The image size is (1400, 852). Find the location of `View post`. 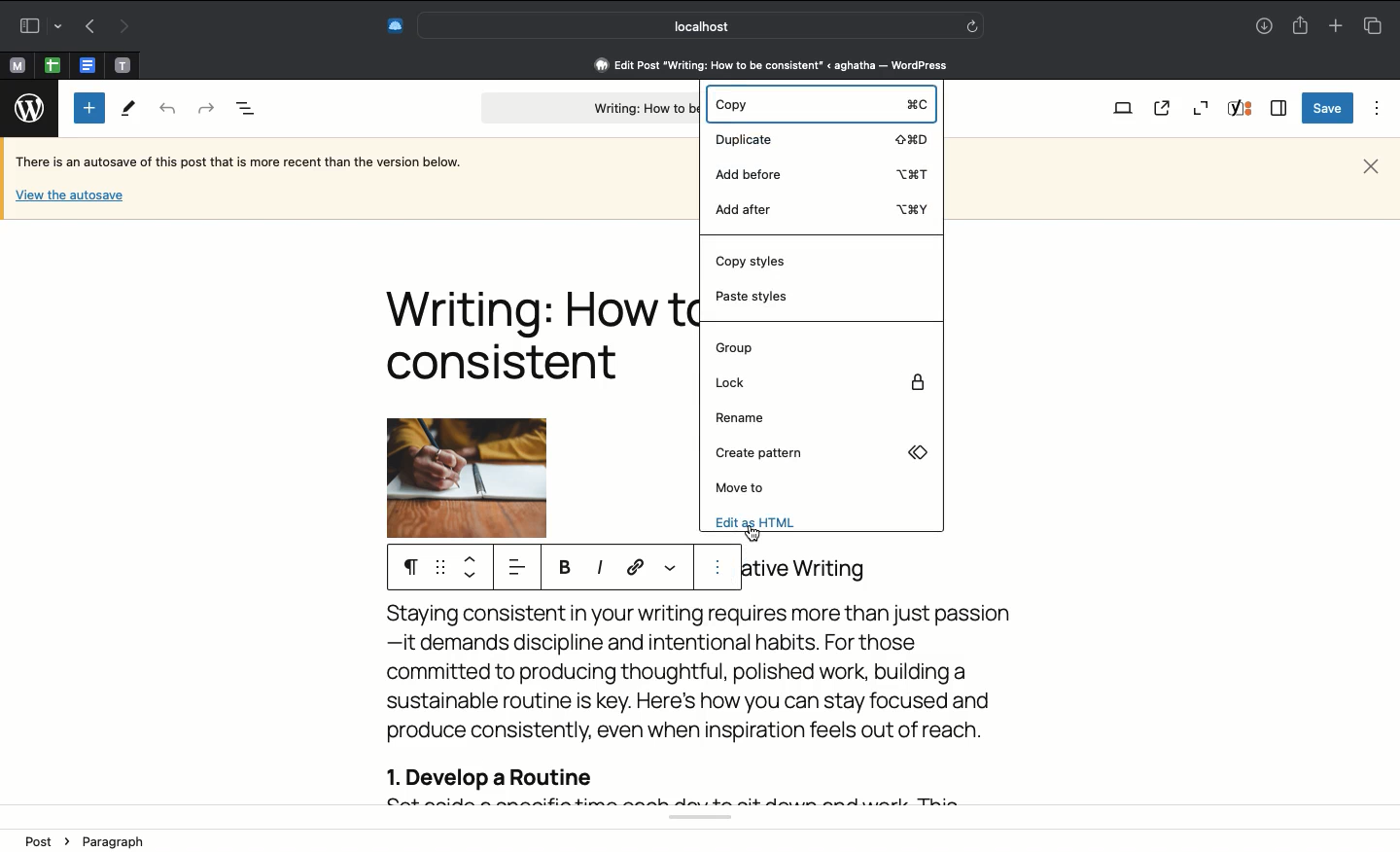

View post is located at coordinates (1166, 109).